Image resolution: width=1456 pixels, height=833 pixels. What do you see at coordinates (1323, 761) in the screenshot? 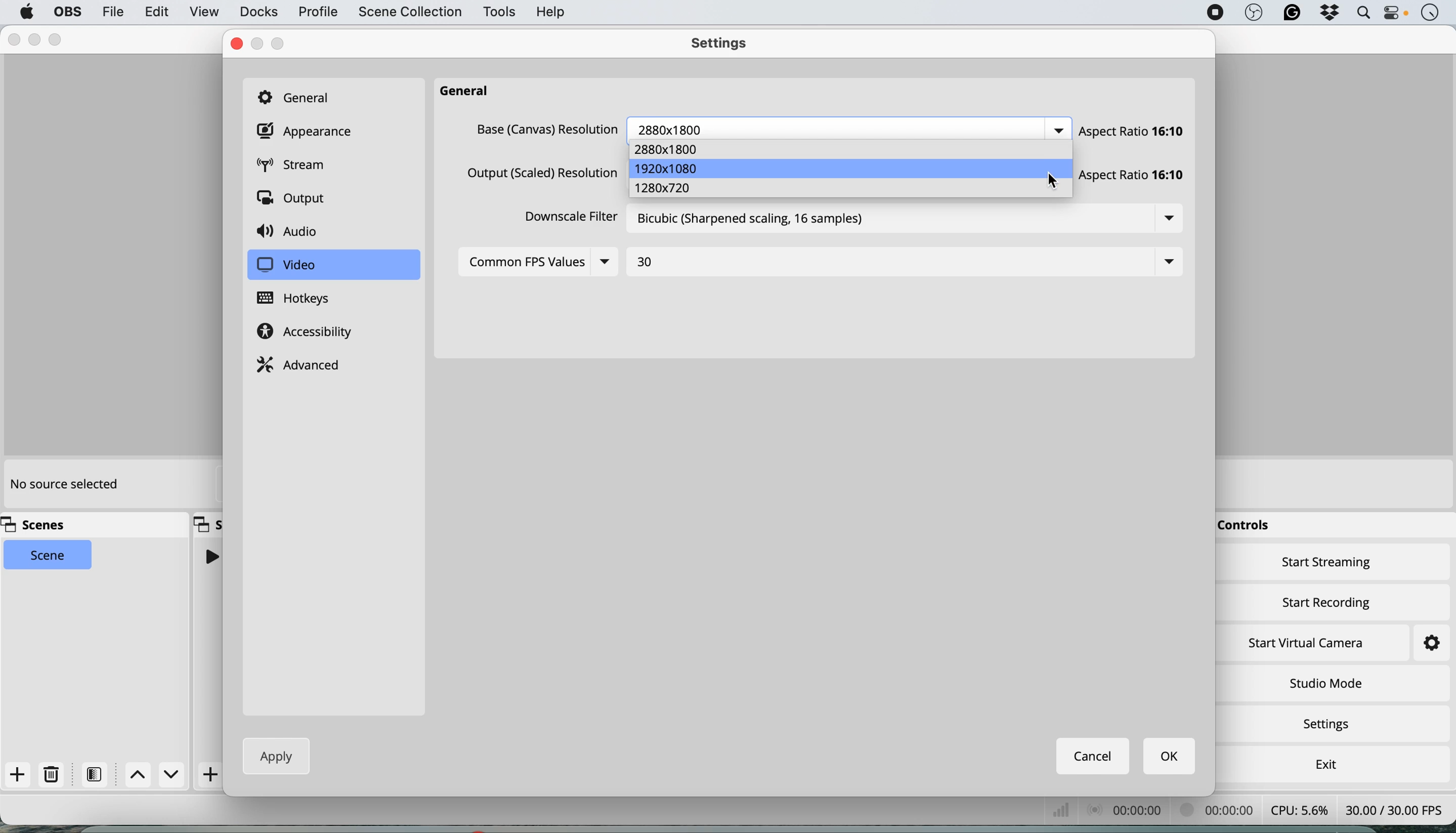
I see `exit` at bounding box center [1323, 761].